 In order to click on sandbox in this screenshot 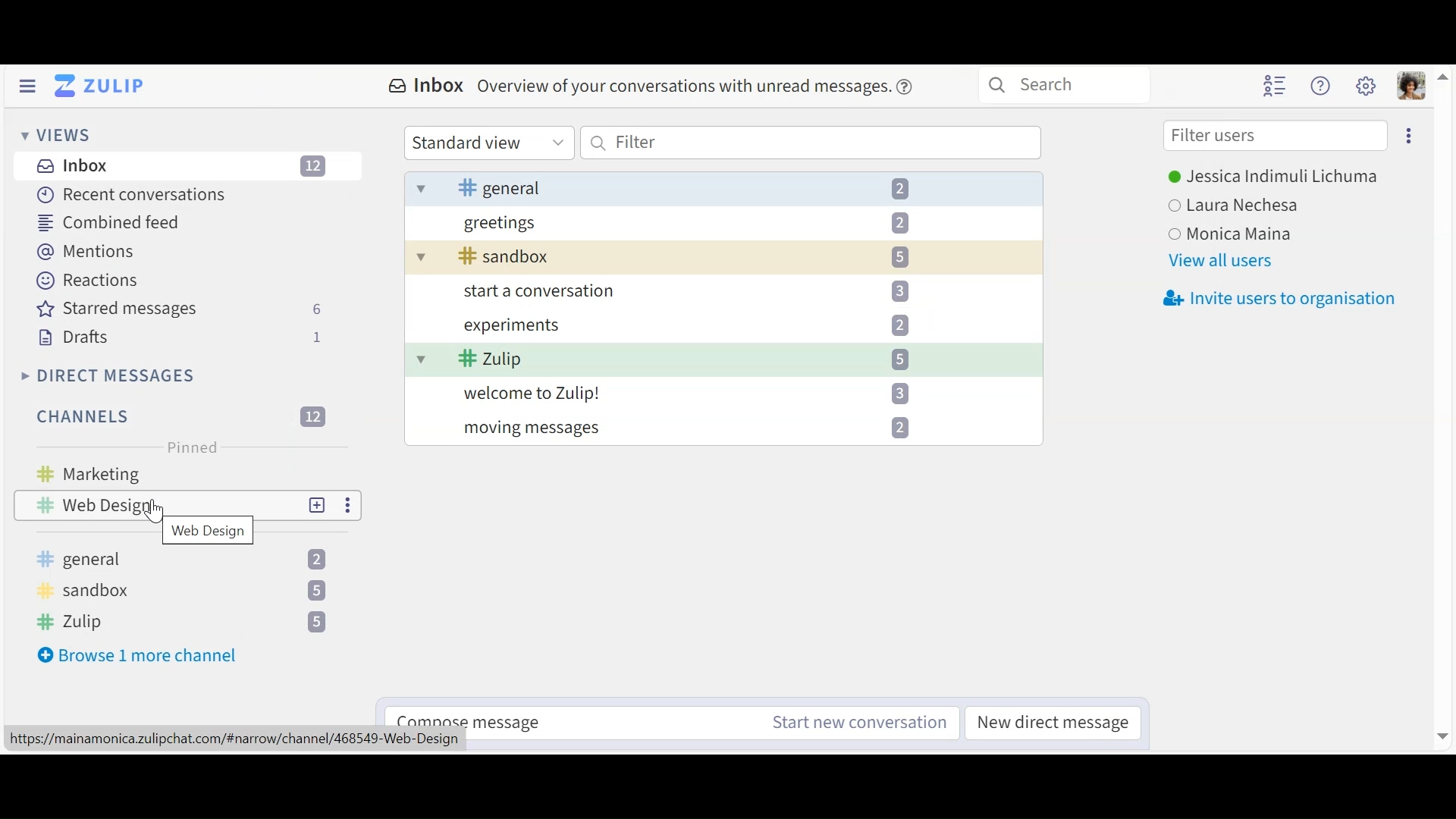, I will do `click(724, 255)`.